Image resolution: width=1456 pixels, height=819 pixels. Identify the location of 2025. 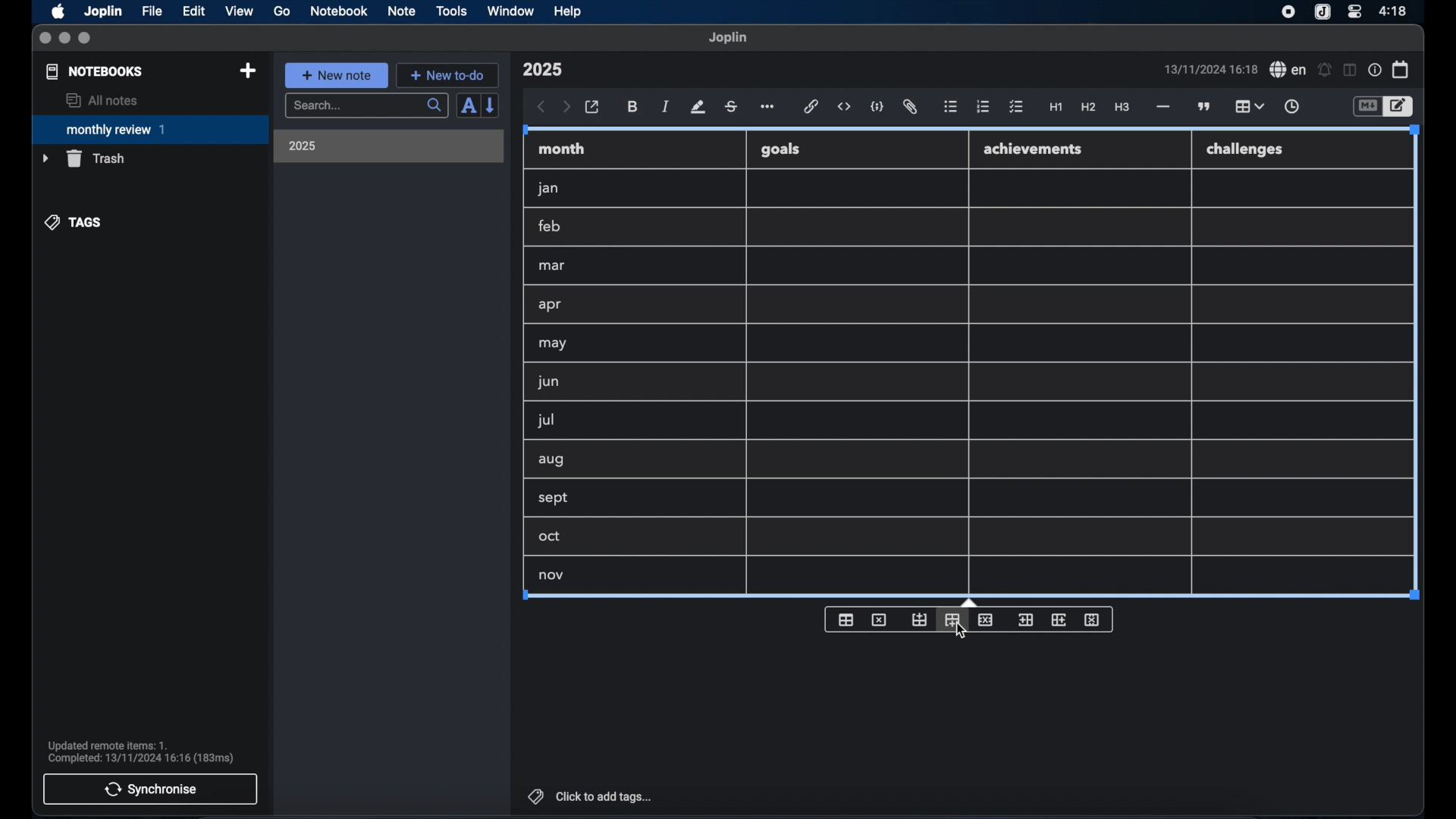
(303, 146).